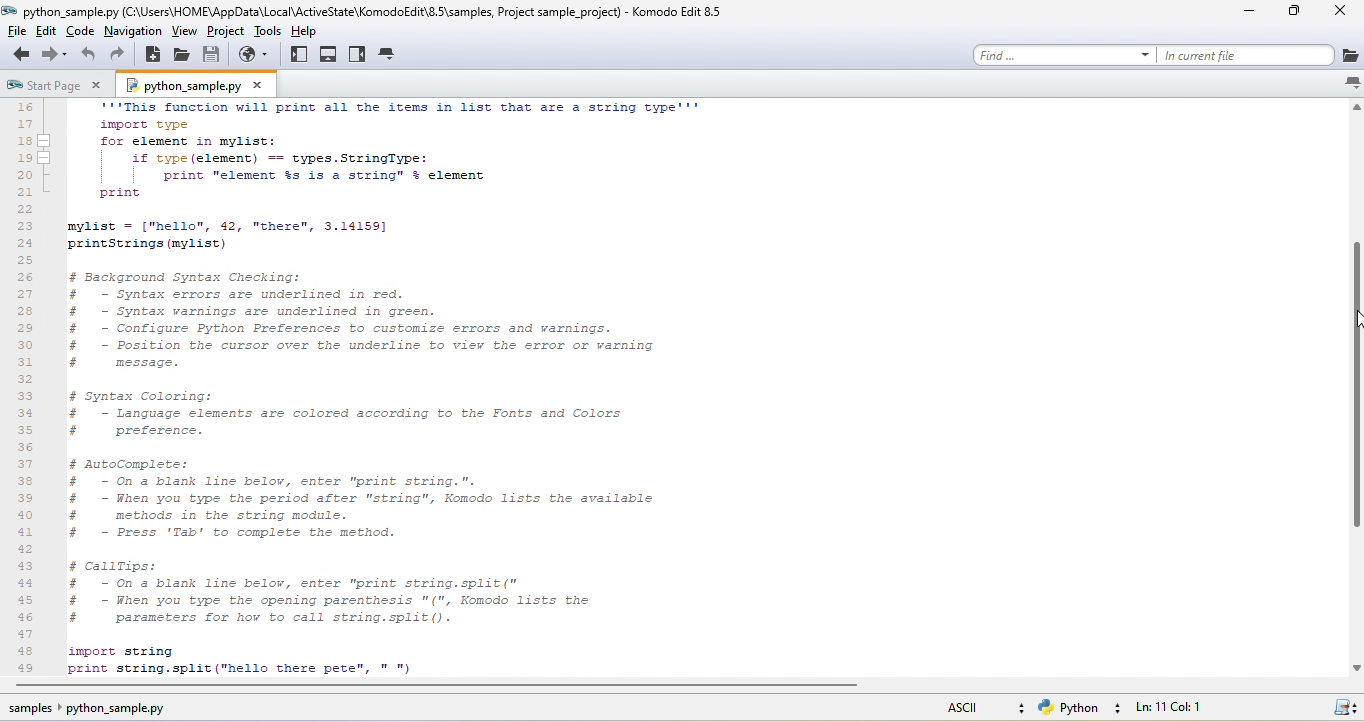 The width and height of the screenshot is (1364, 722). Describe the element at coordinates (1083, 708) in the screenshot. I see `python` at that location.